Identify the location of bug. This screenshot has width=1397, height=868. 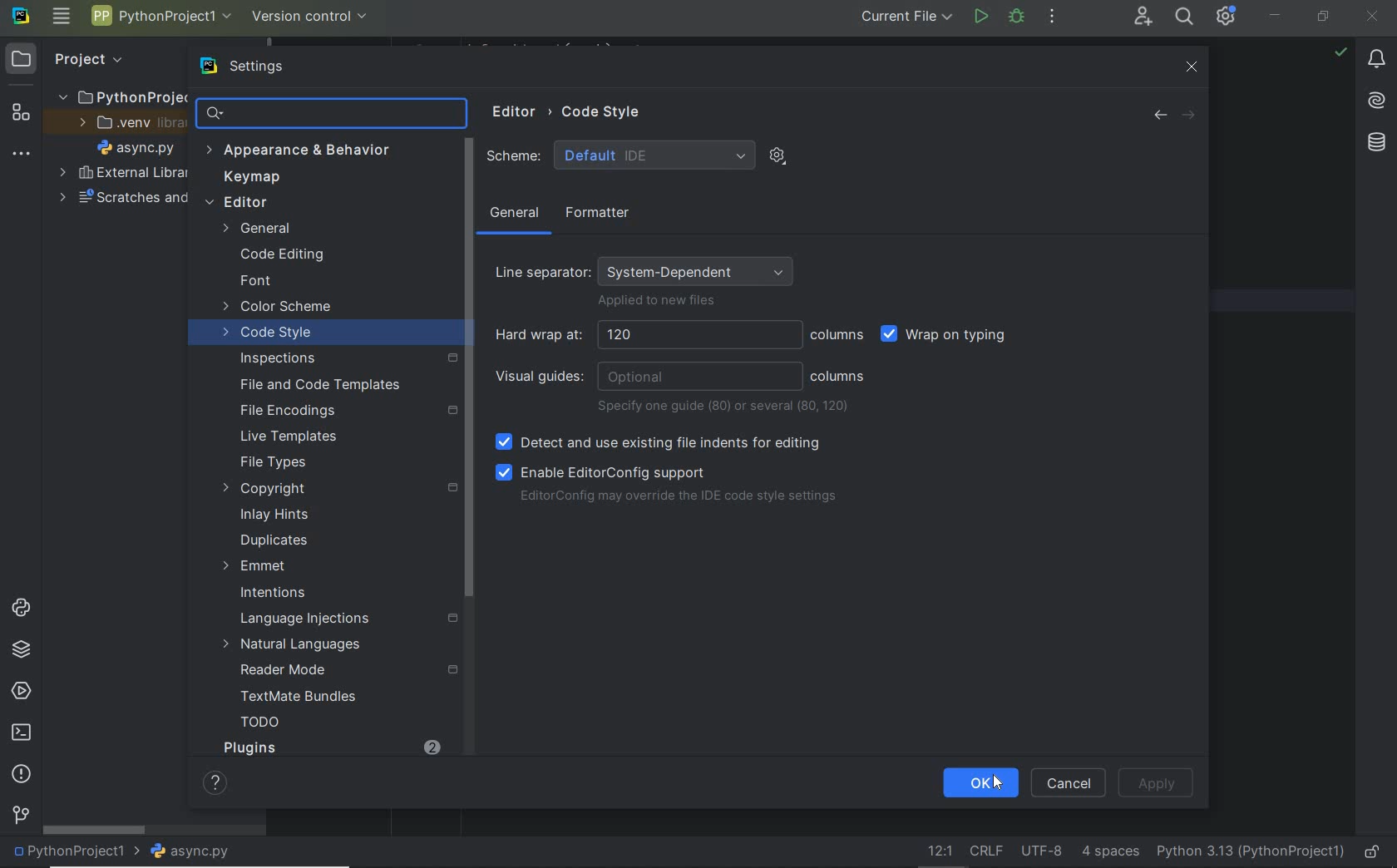
(1015, 16).